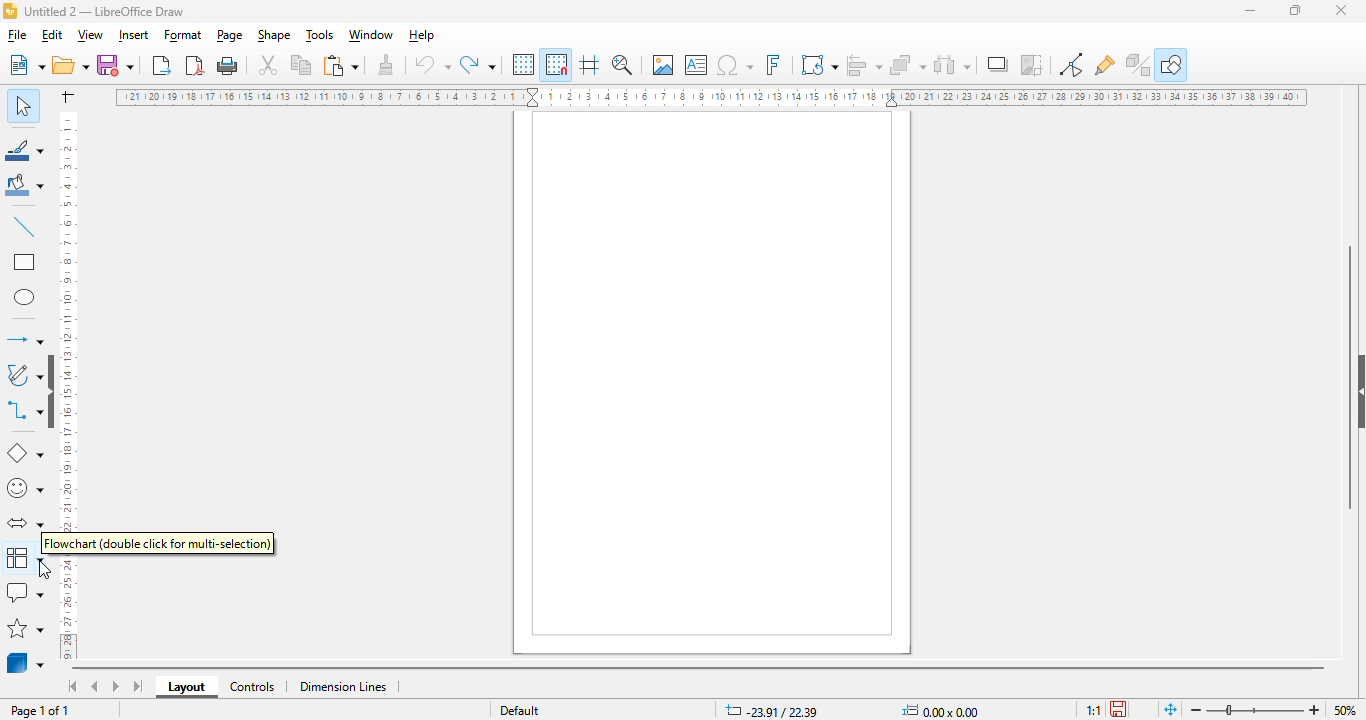 The image size is (1366, 720). I want to click on crop image, so click(1033, 66).